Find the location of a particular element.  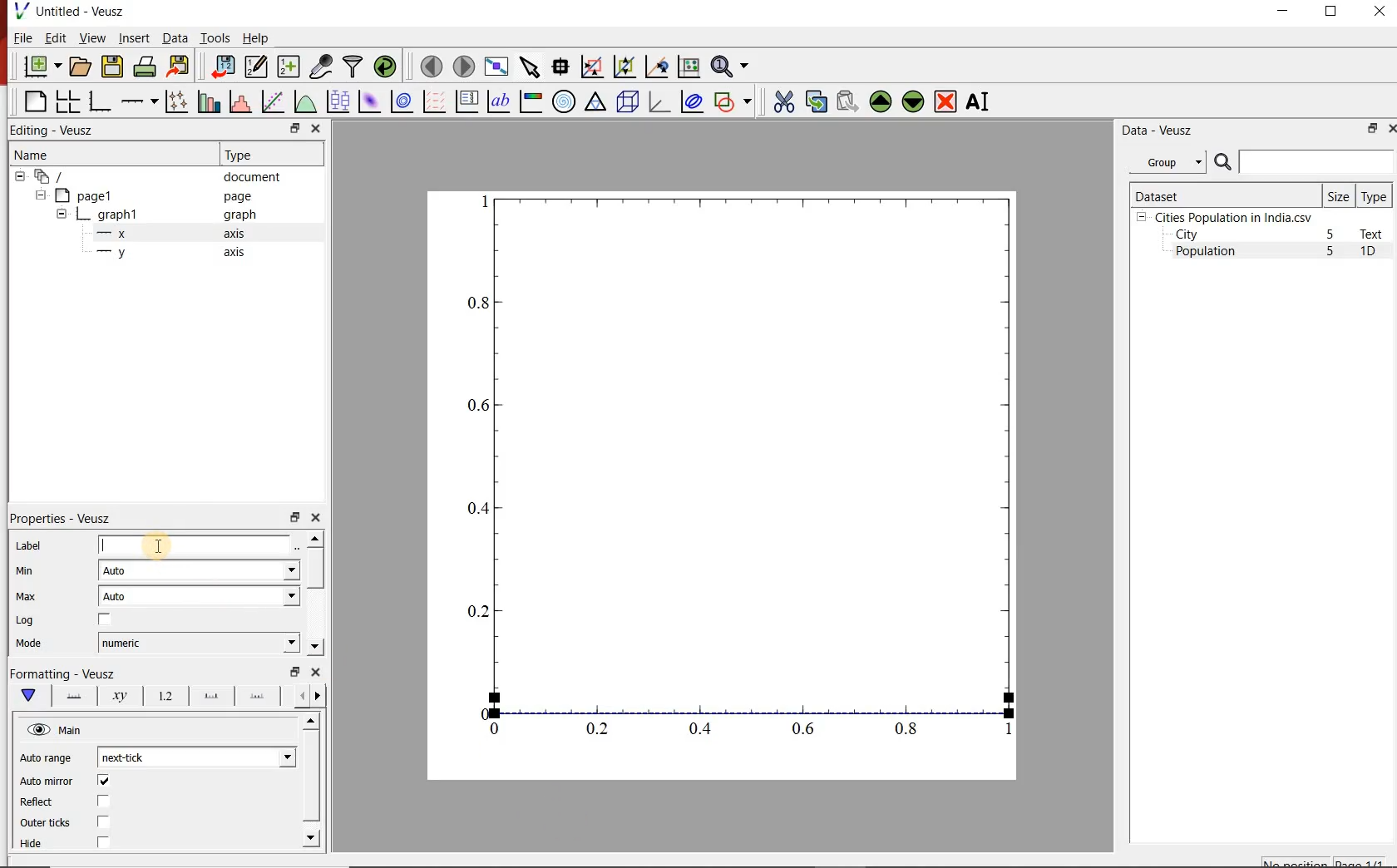

view plot full screen is located at coordinates (496, 67).